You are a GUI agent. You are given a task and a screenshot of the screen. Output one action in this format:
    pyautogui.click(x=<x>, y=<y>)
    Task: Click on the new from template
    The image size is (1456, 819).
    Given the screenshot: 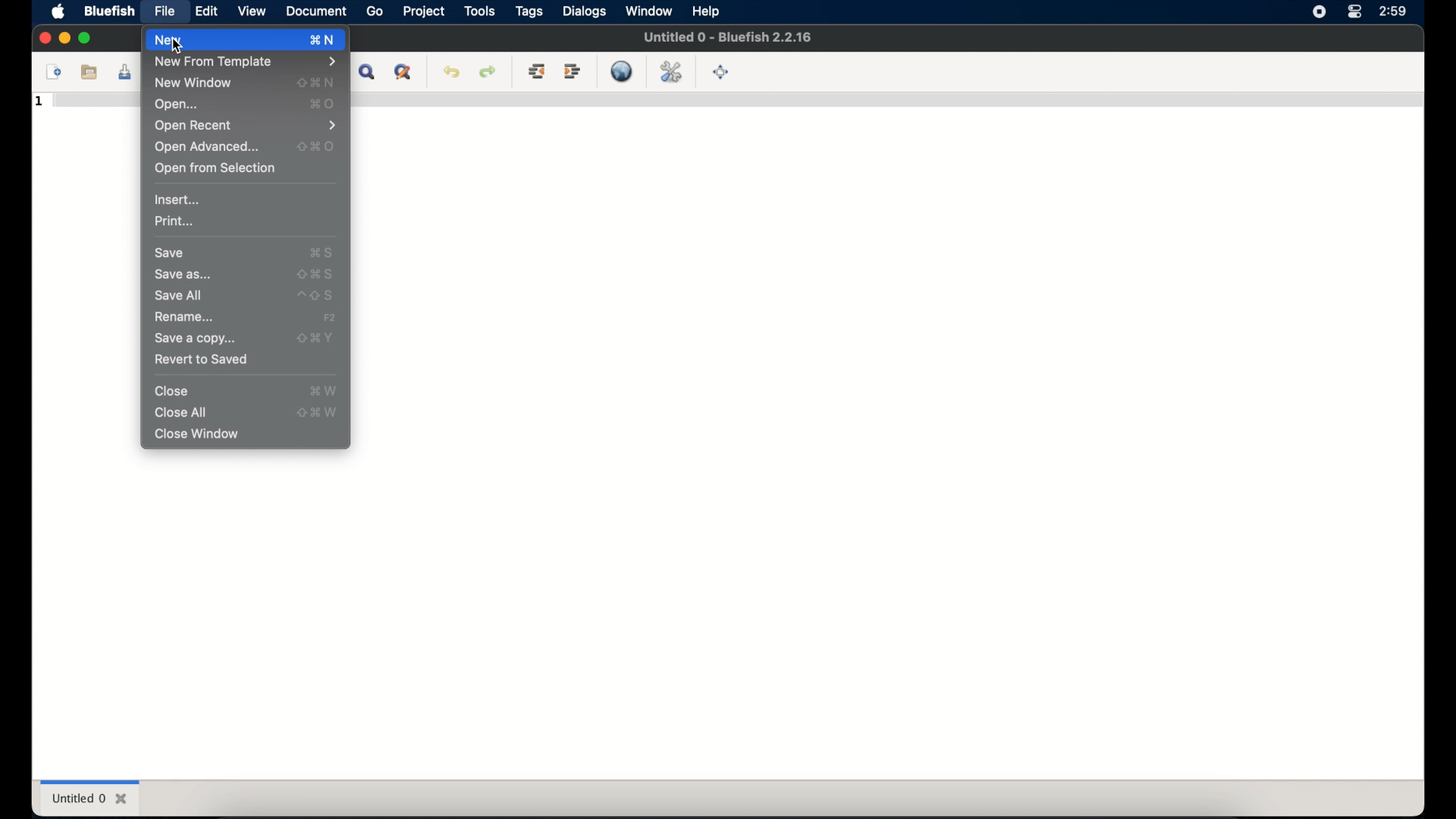 What is the action you would take?
    pyautogui.click(x=245, y=62)
    